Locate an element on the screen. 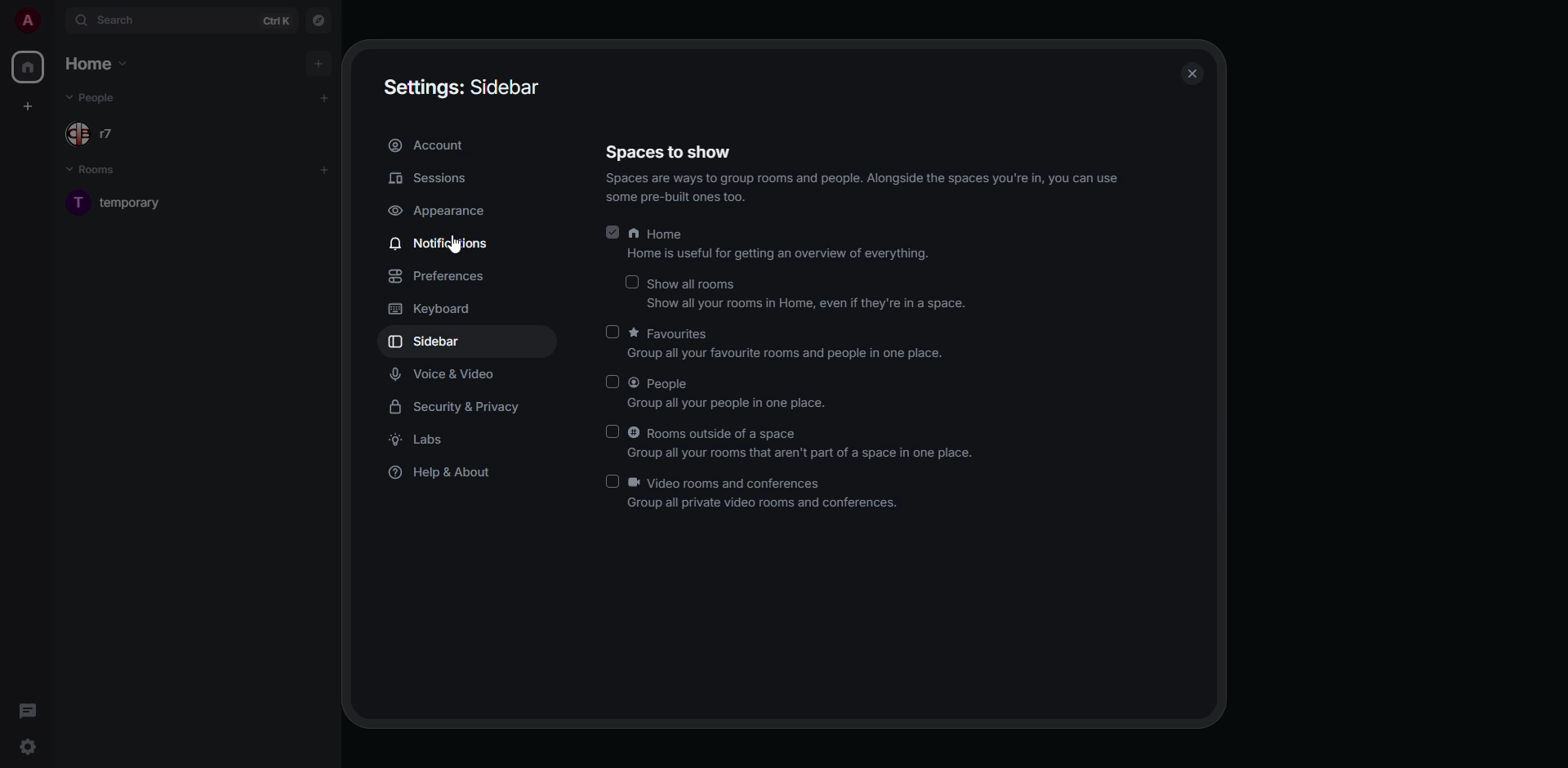  add is located at coordinates (324, 97).